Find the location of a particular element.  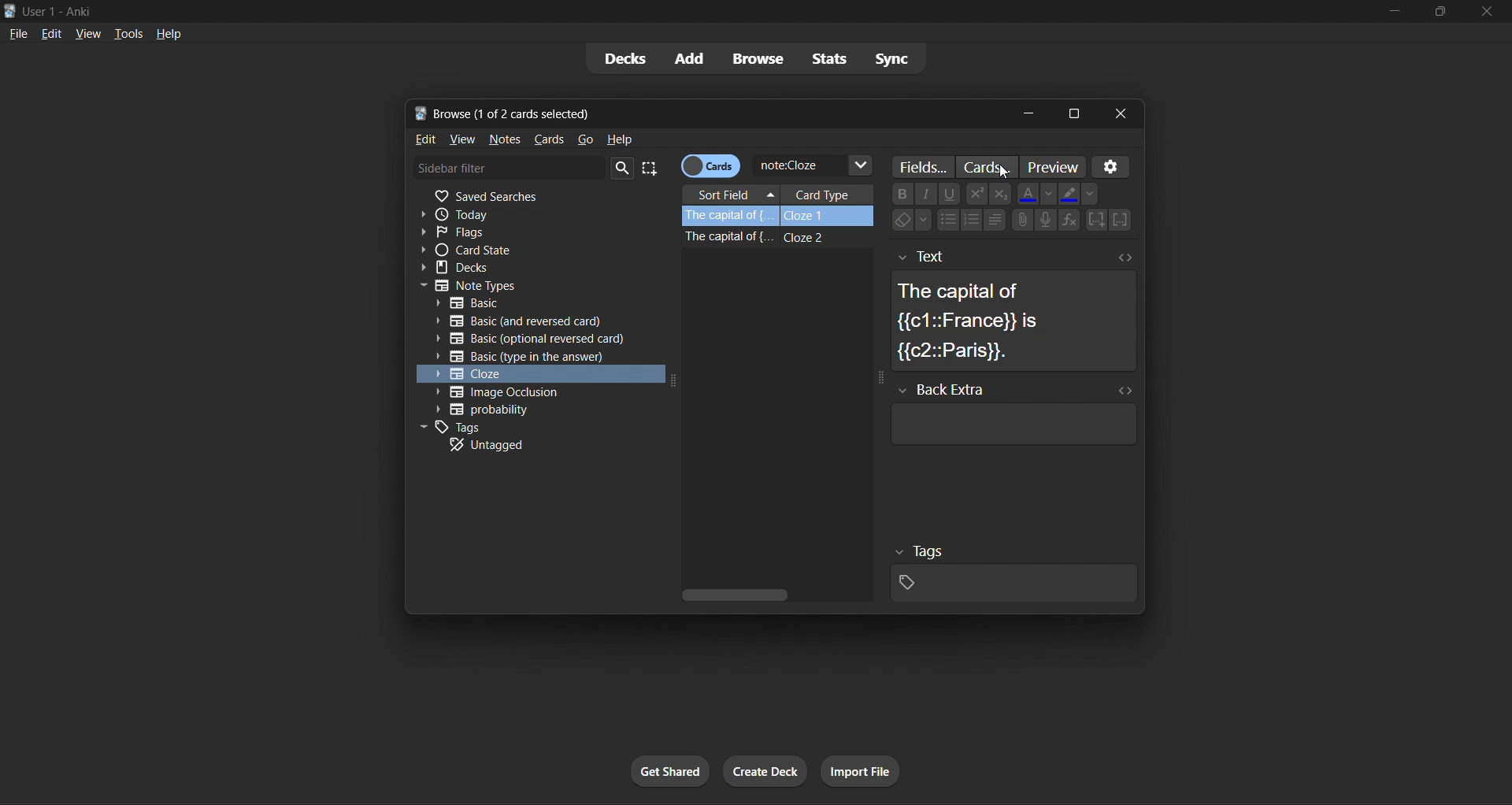

edit is located at coordinates (422, 140).